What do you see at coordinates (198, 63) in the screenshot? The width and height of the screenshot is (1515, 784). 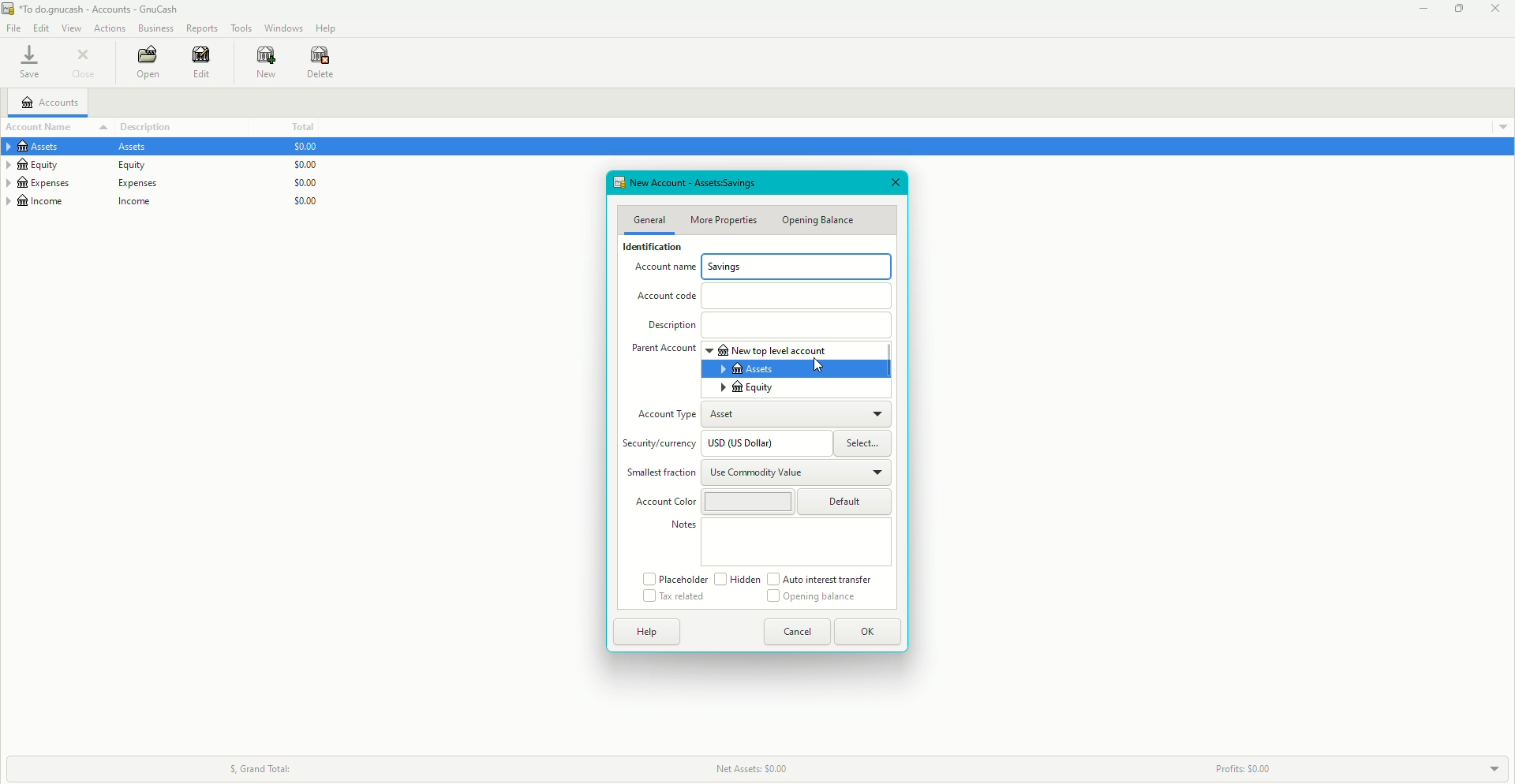 I see `Edit` at bounding box center [198, 63].